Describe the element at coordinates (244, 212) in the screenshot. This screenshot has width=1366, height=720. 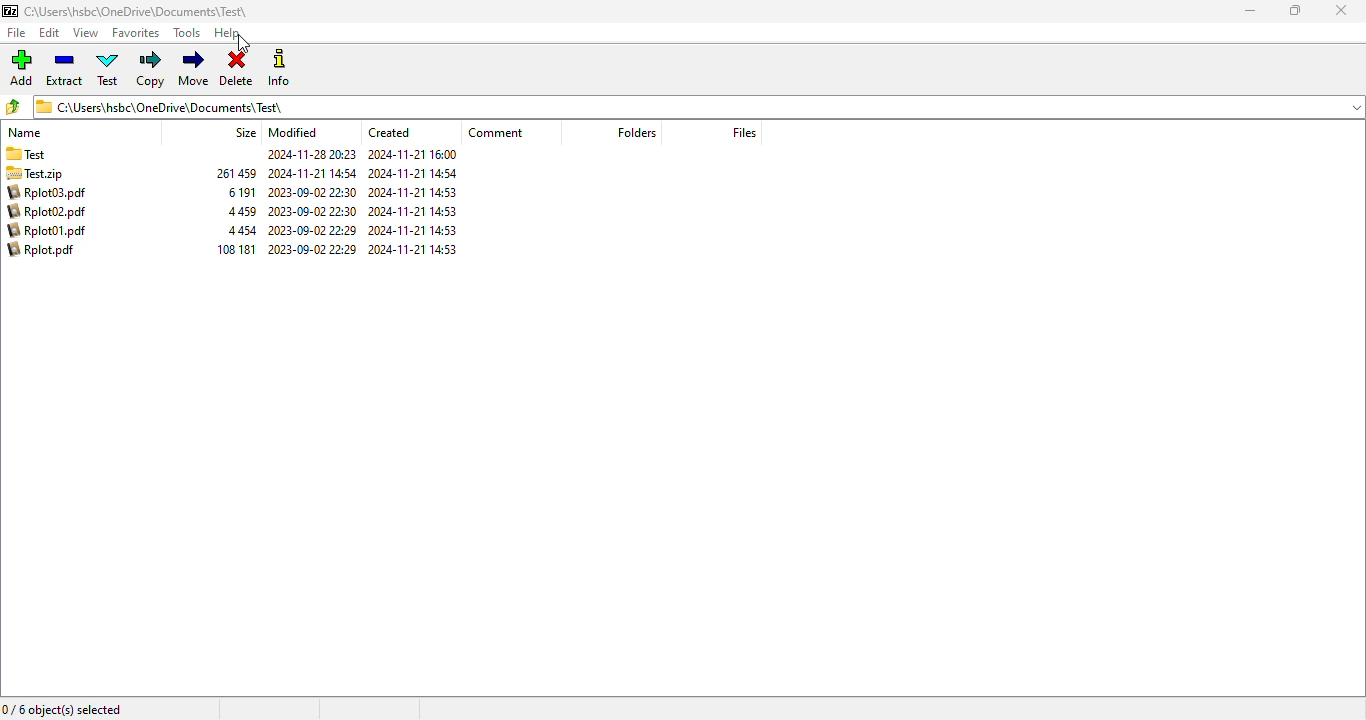
I see `4 459` at that location.